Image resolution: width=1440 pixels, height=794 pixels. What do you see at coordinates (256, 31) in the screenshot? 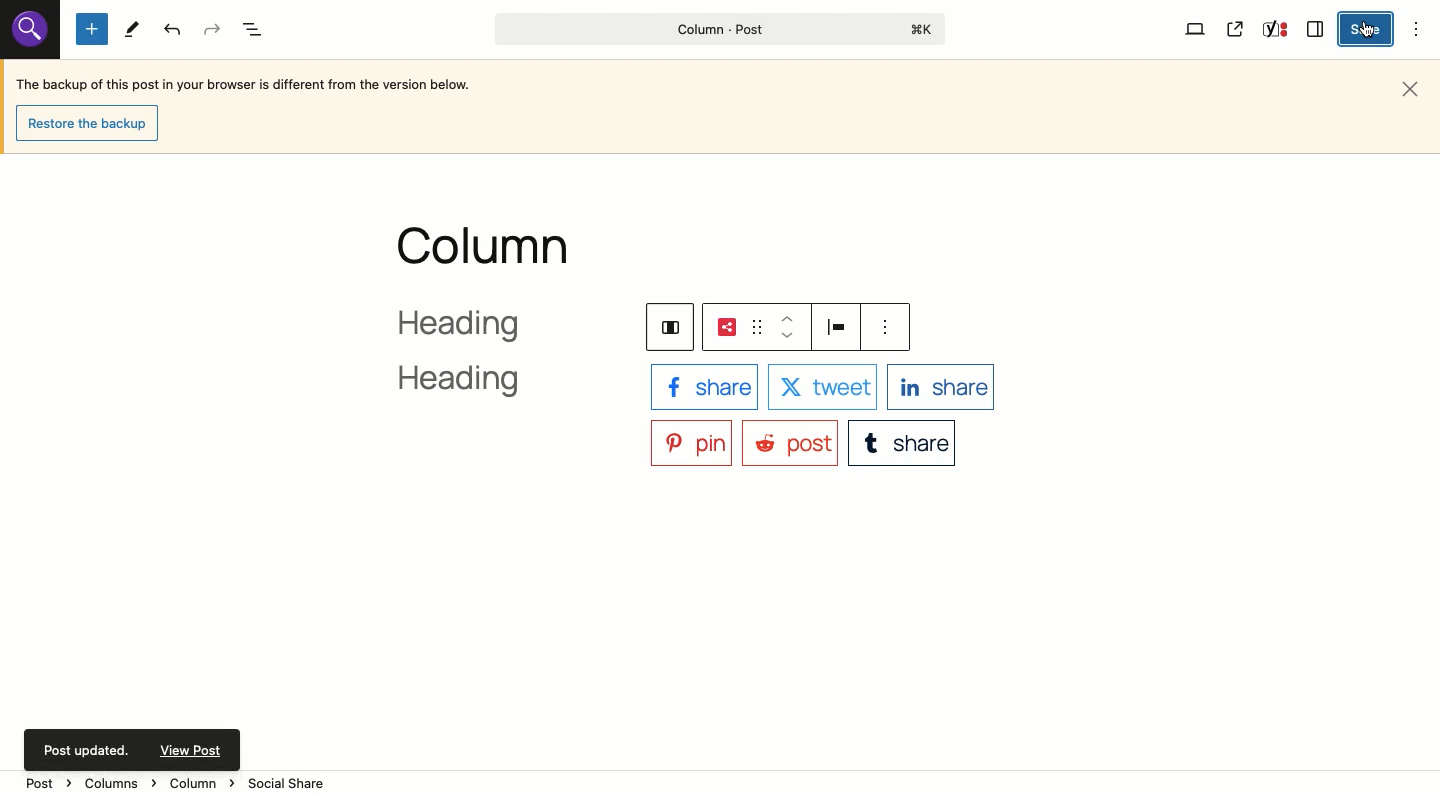
I see `Document overview` at bounding box center [256, 31].